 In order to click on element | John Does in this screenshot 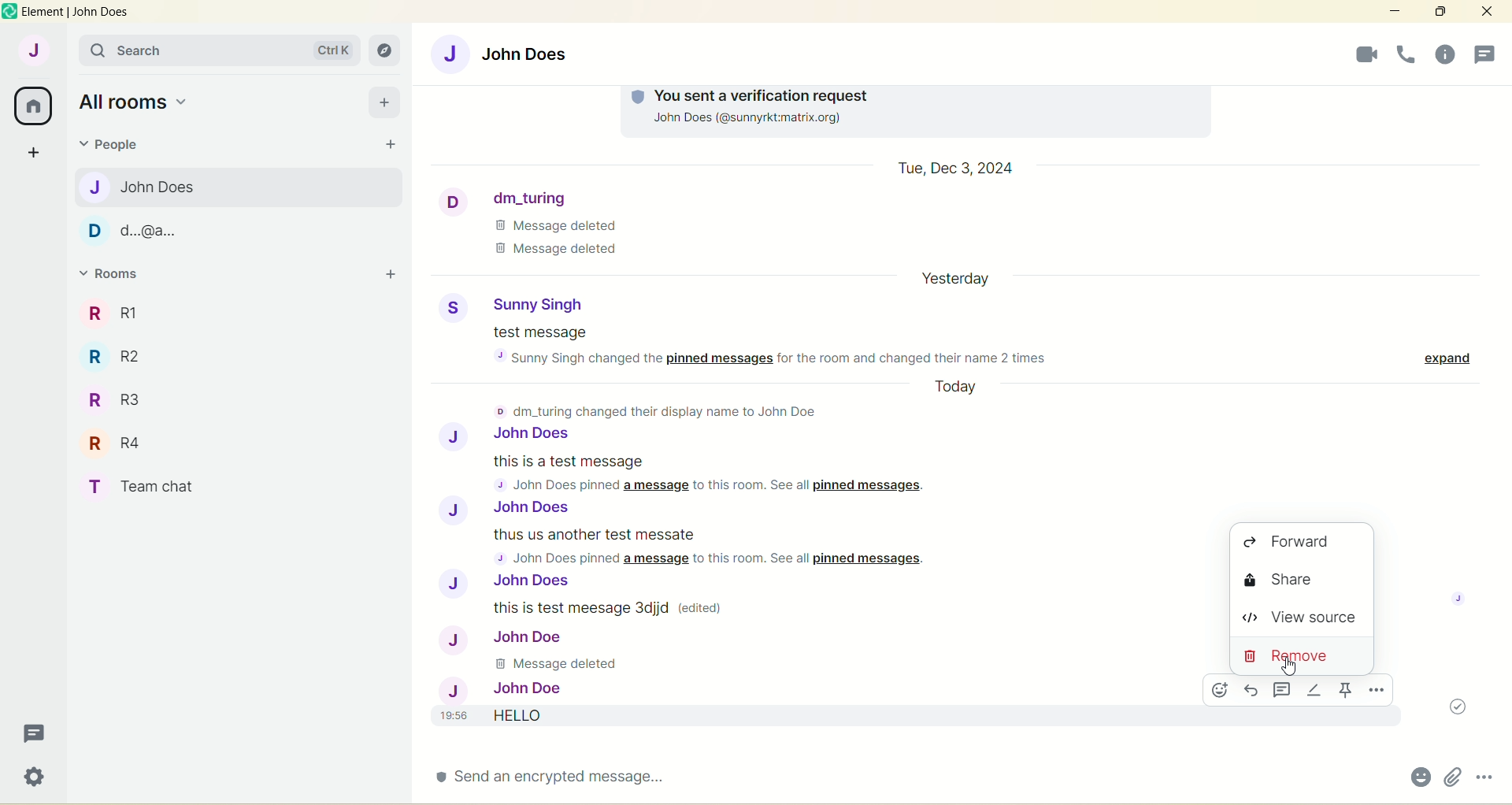, I will do `click(77, 14)`.